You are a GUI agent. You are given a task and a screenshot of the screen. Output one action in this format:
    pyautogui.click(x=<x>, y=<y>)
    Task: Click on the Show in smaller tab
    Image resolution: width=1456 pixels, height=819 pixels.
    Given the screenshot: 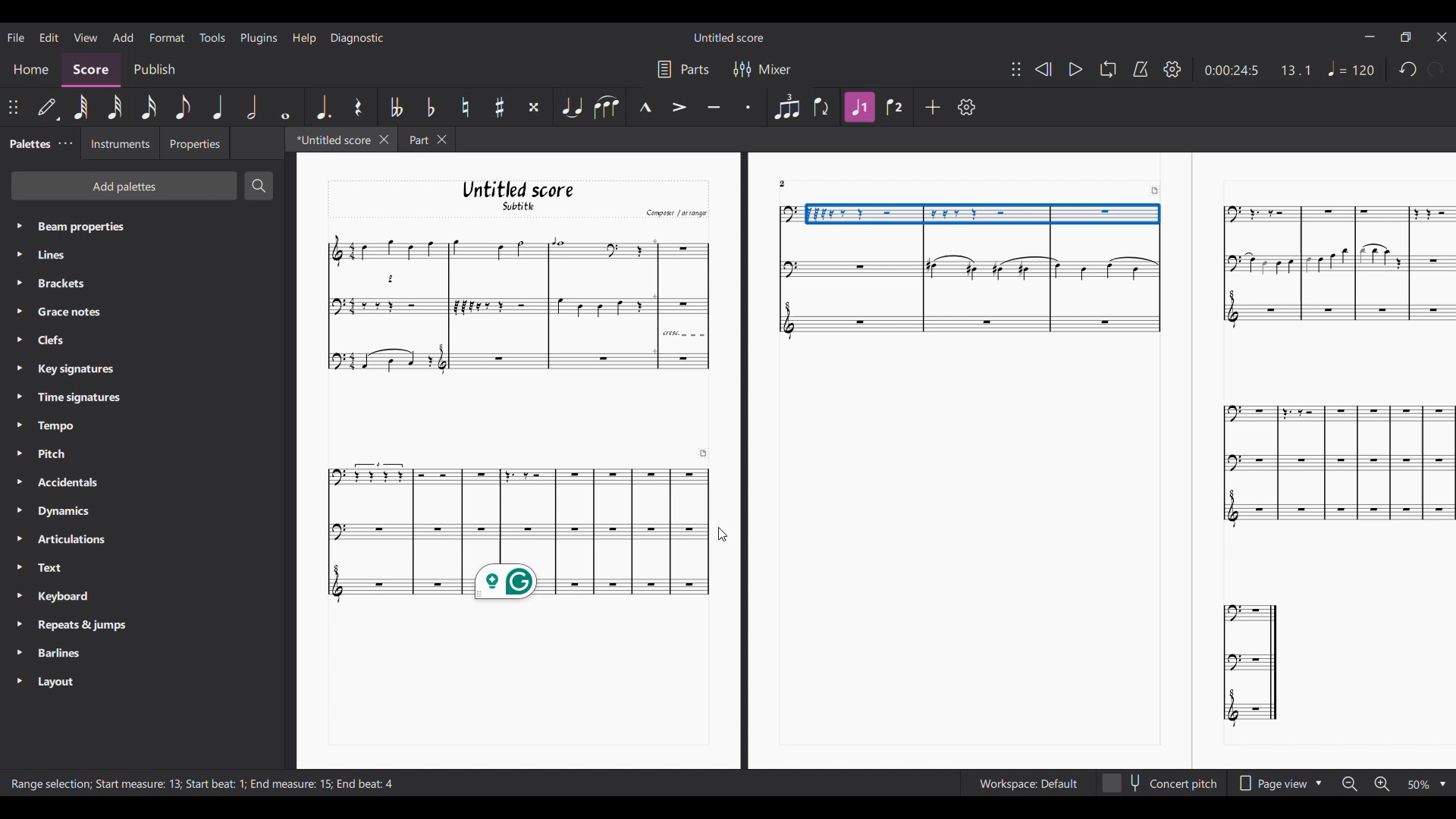 What is the action you would take?
    pyautogui.click(x=1405, y=37)
    